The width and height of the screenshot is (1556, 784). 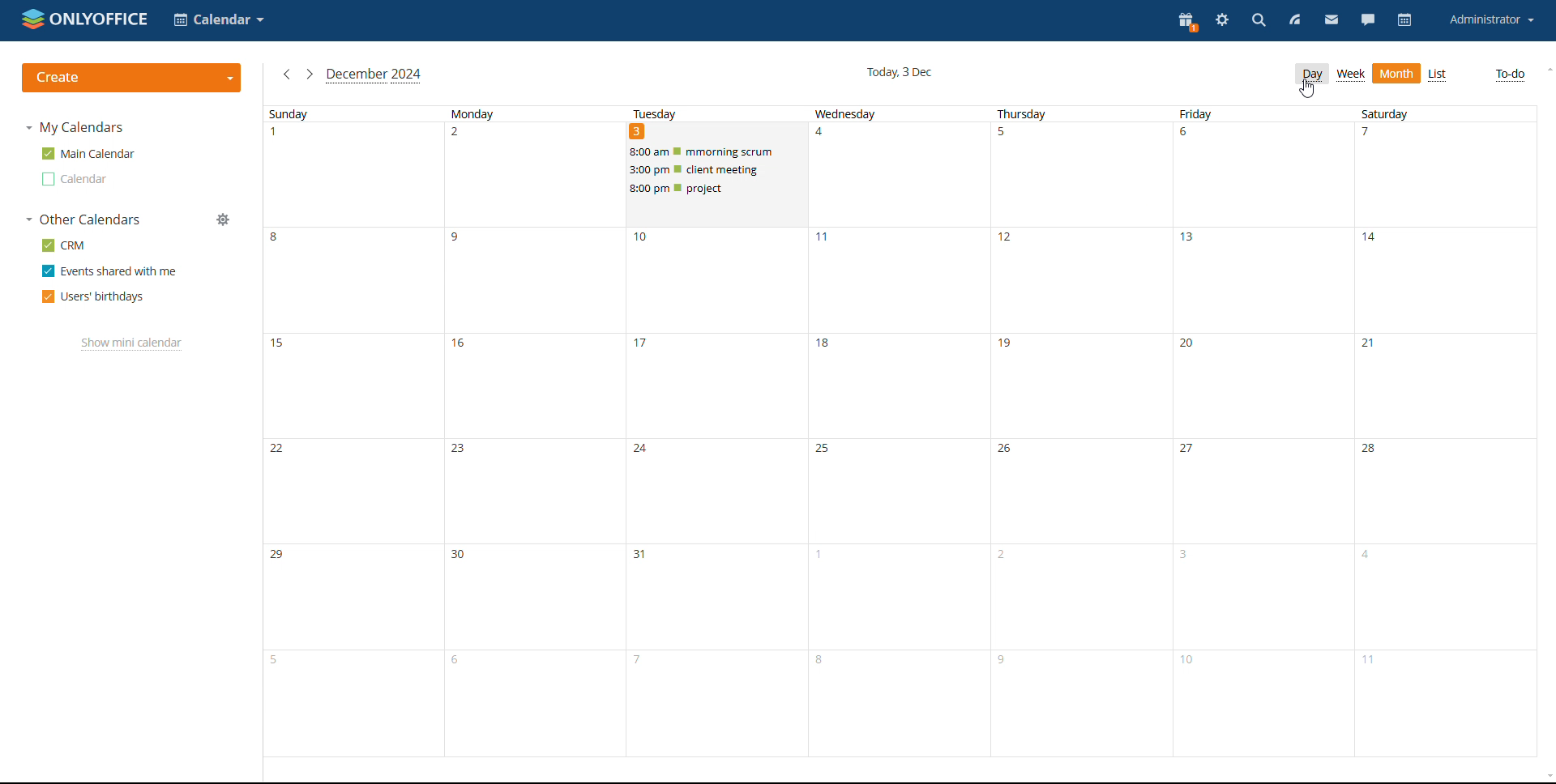 I want to click on show mini calendar, so click(x=132, y=344).